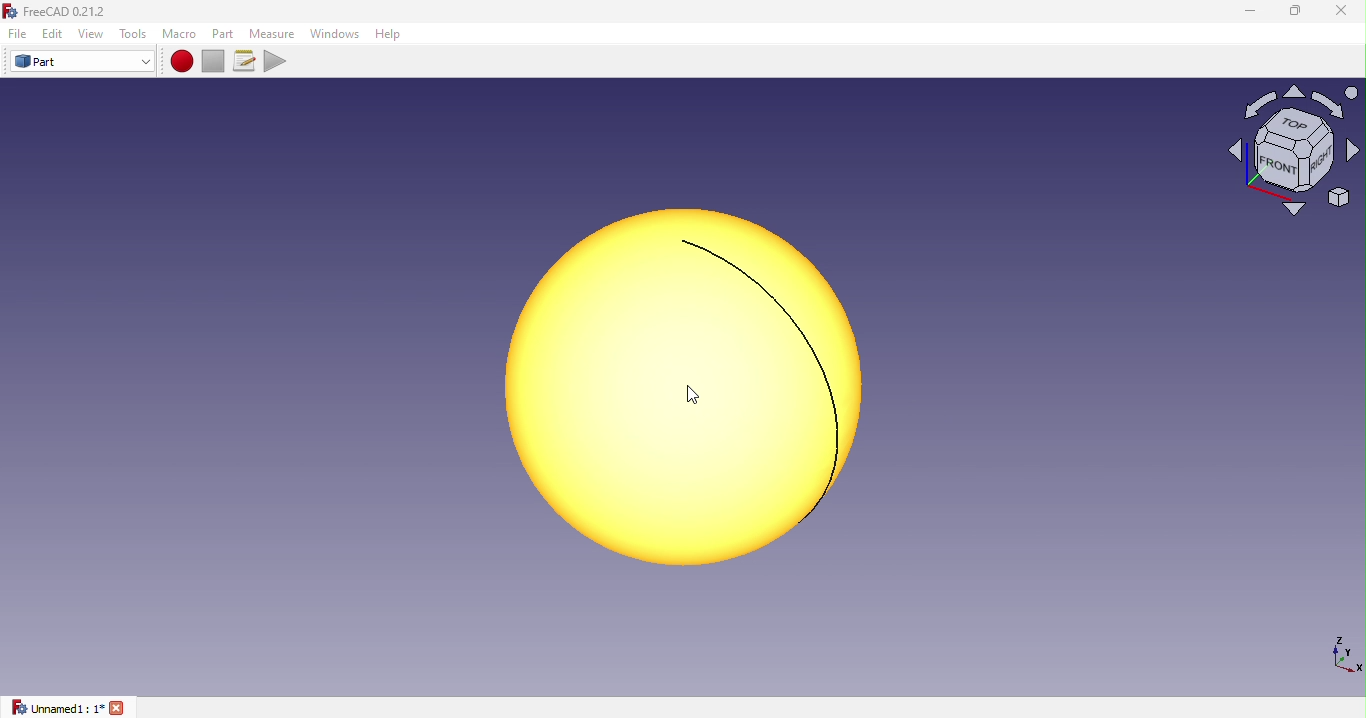  What do you see at coordinates (1295, 13) in the screenshot?
I see `Maximize` at bounding box center [1295, 13].